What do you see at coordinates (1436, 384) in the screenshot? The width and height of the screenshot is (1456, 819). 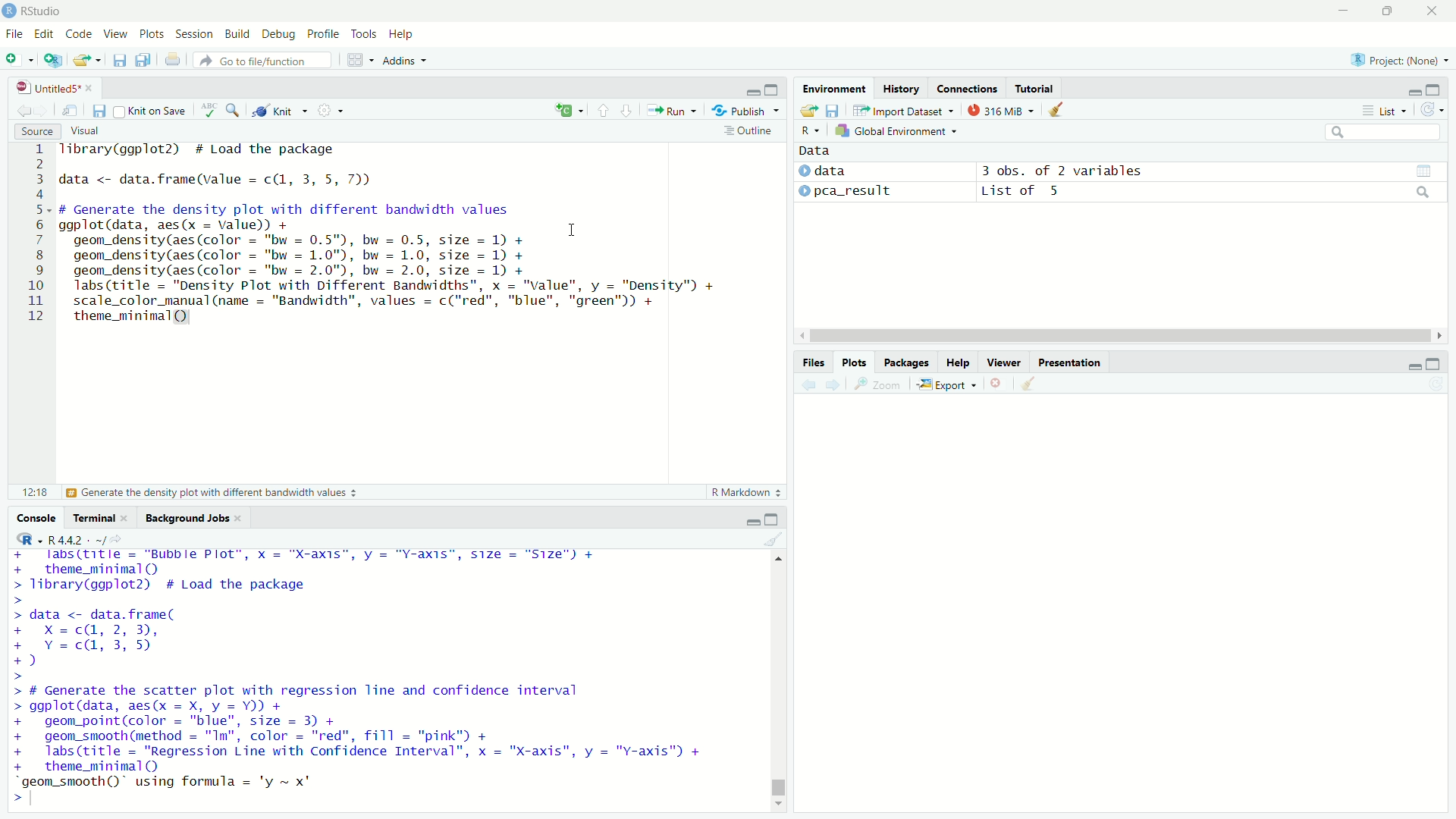 I see `Refresh current plot` at bounding box center [1436, 384].